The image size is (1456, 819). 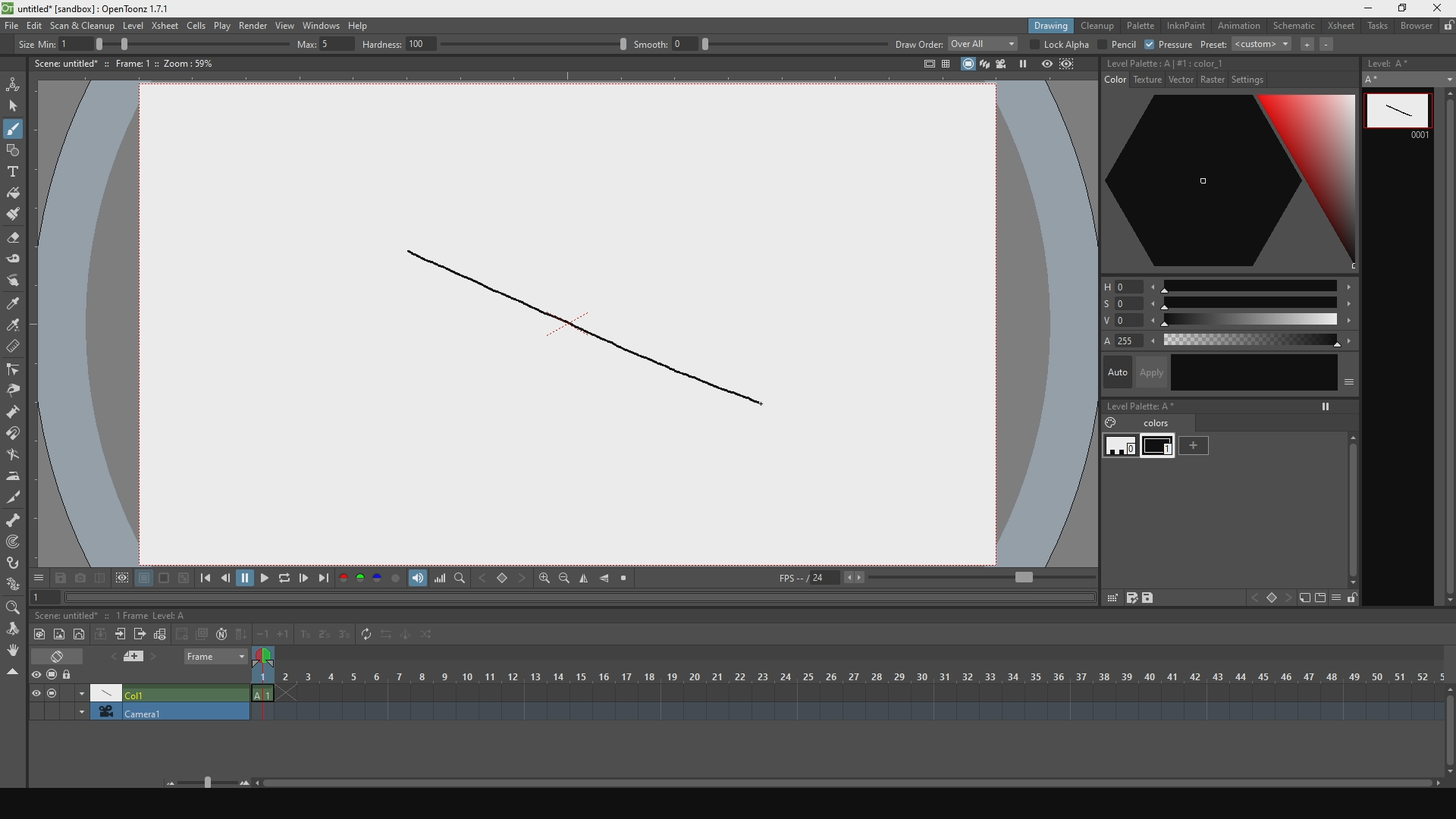 What do you see at coordinates (197, 44) in the screenshot?
I see `size percentage` at bounding box center [197, 44].